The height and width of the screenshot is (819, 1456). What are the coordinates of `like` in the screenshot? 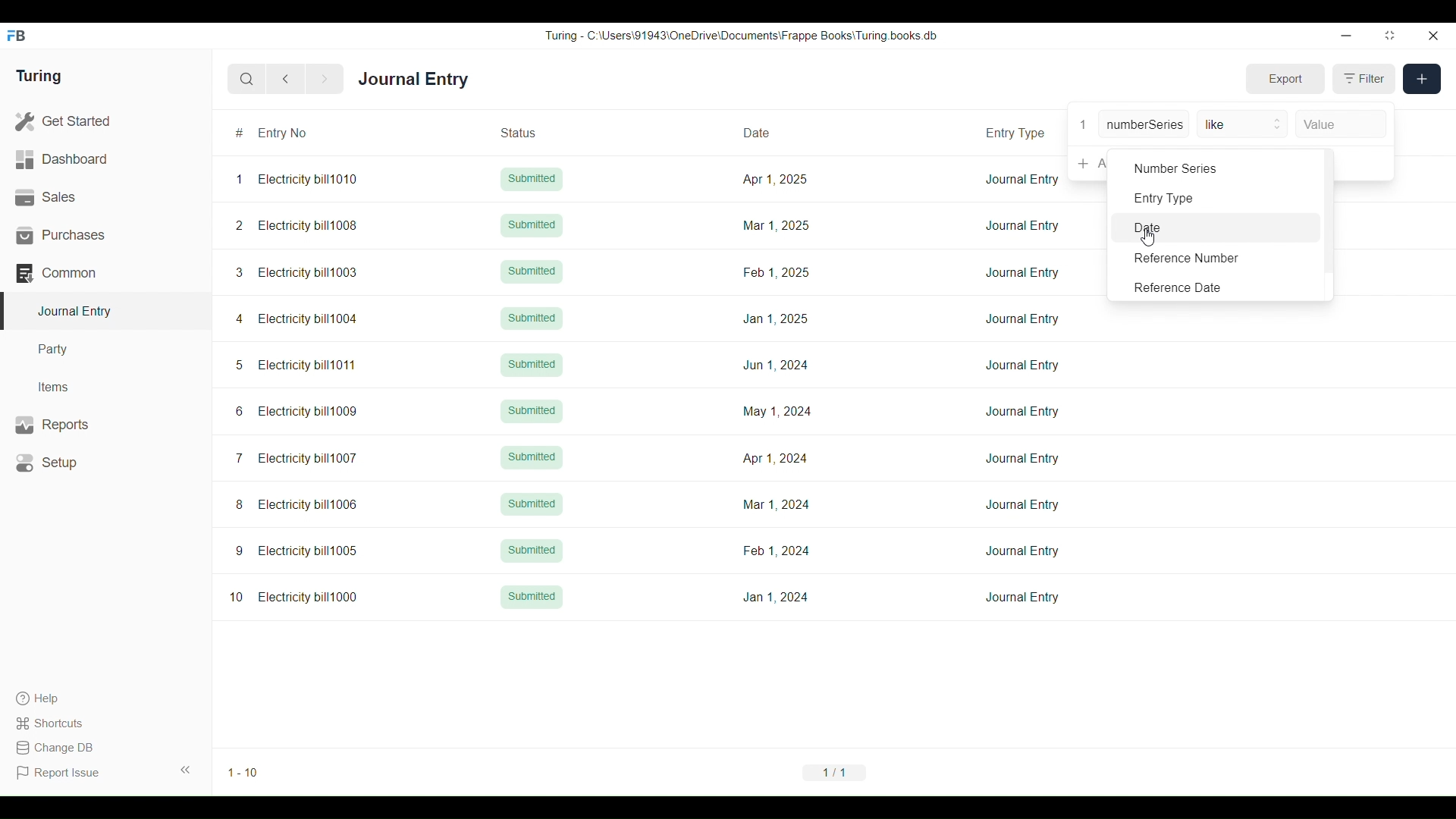 It's located at (1242, 124).